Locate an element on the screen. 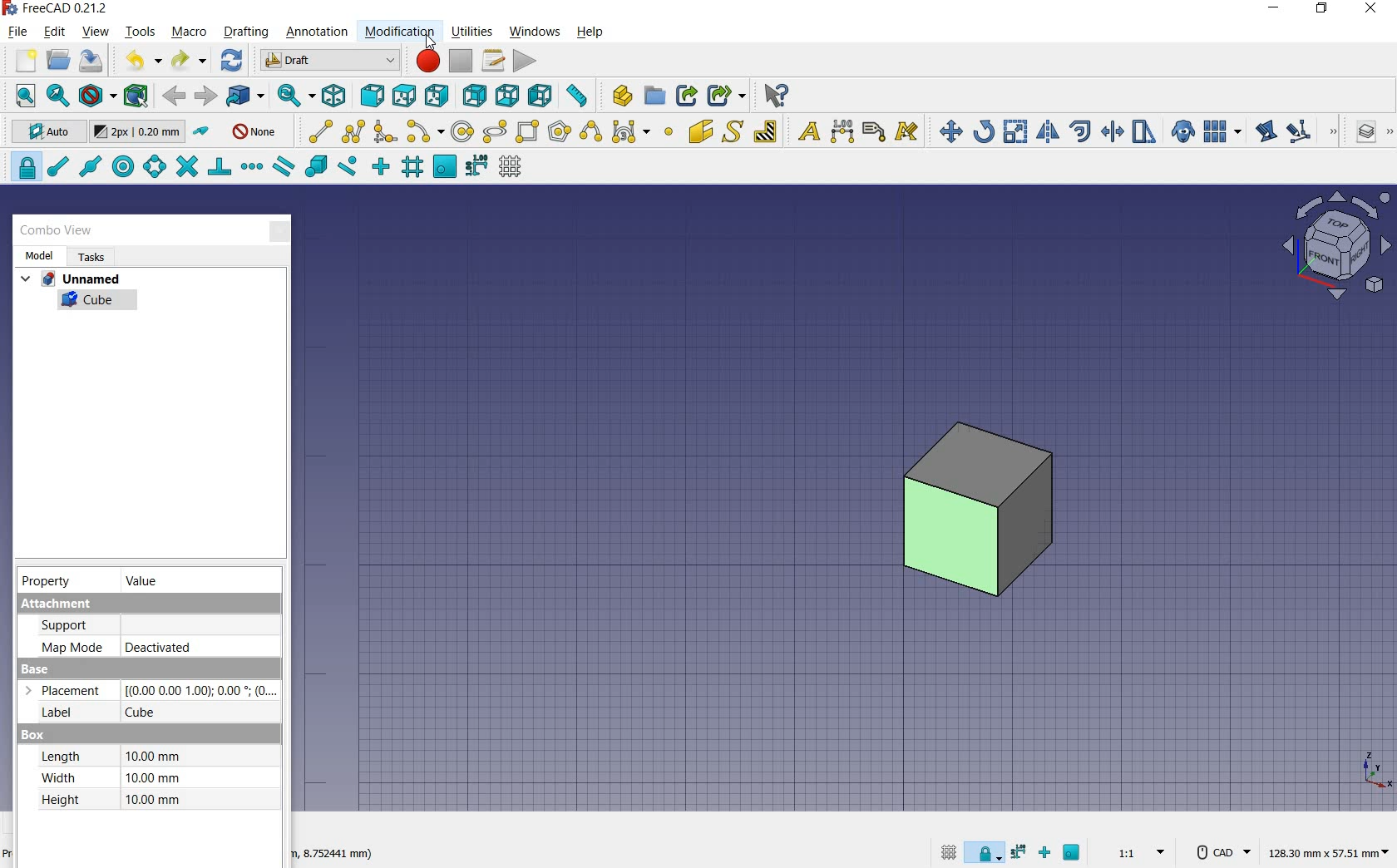 This screenshot has width=1397, height=868. point is located at coordinates (669, 133).